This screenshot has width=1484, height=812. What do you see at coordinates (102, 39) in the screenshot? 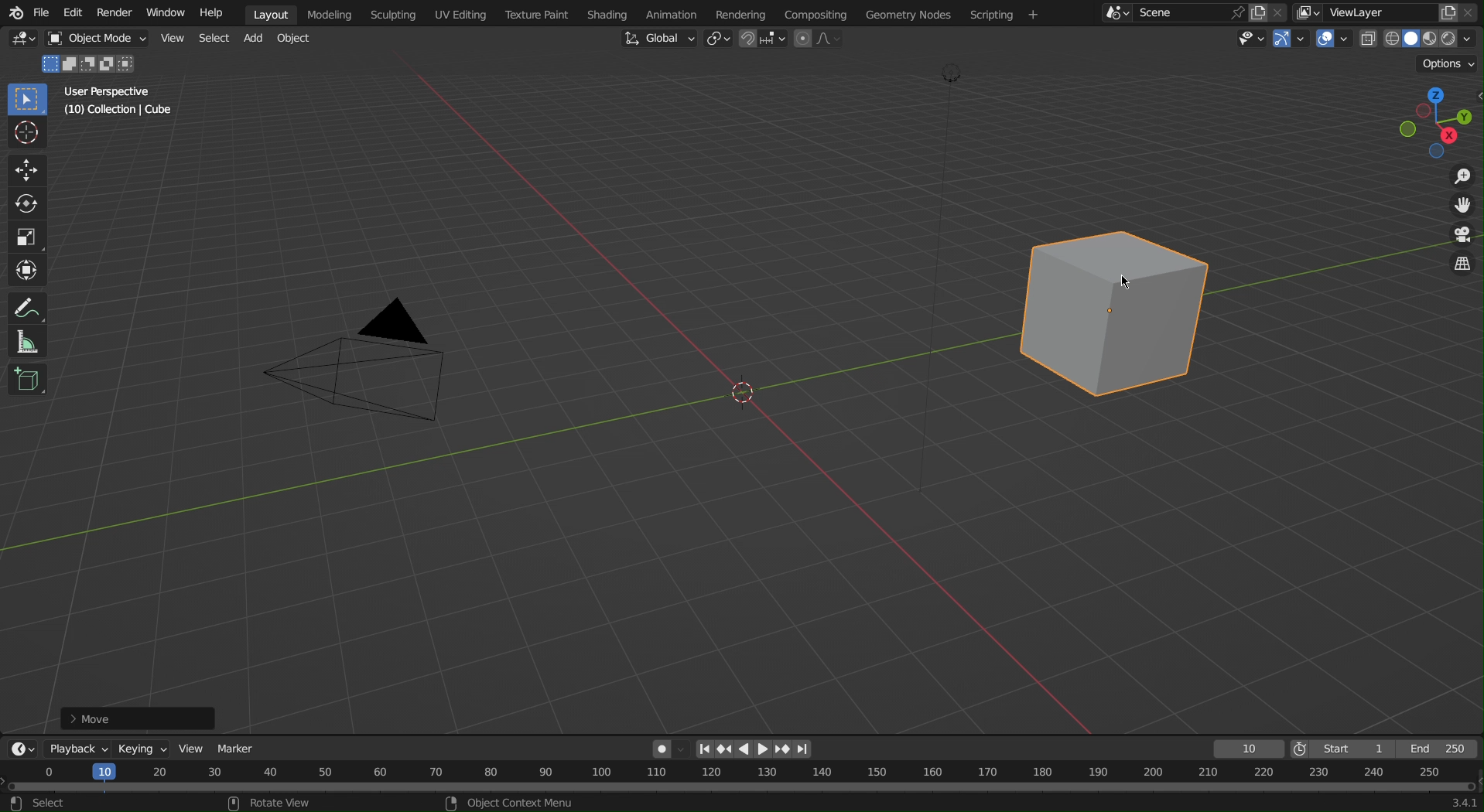
I see `Object` at bounding box center [102, 39].